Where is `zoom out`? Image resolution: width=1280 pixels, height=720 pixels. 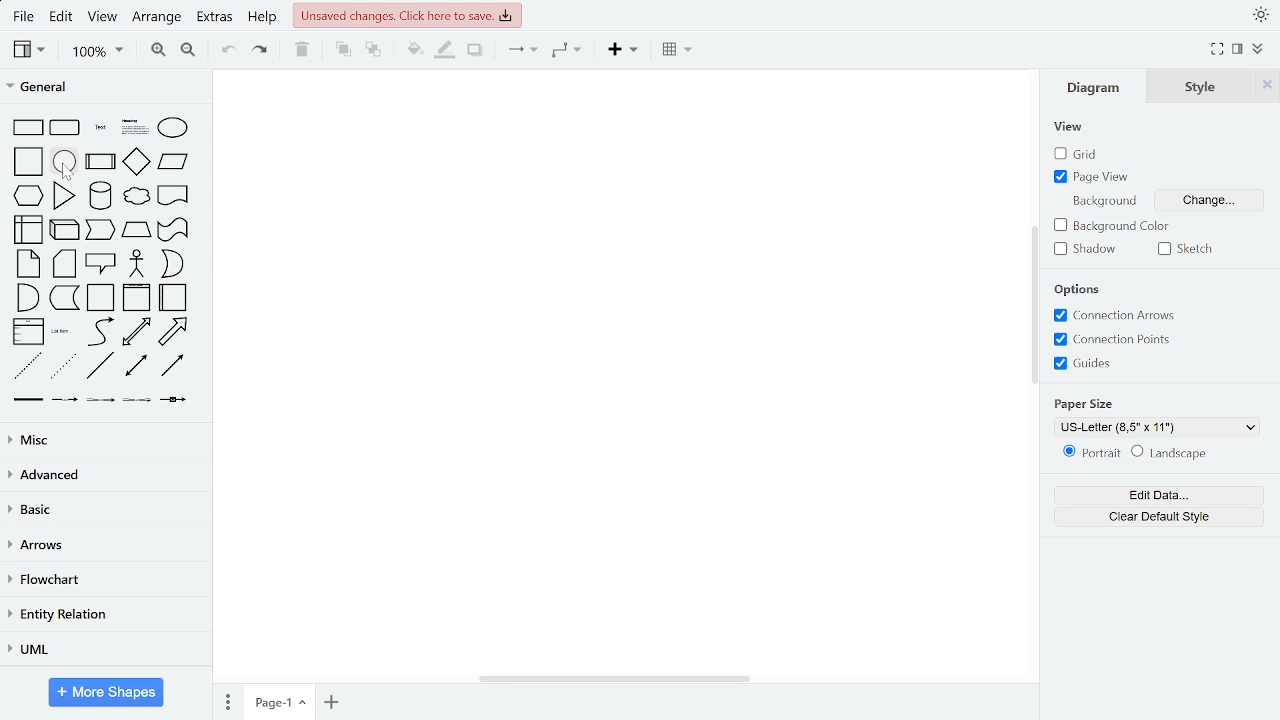 zoom out is located at coordinates (188, 52).